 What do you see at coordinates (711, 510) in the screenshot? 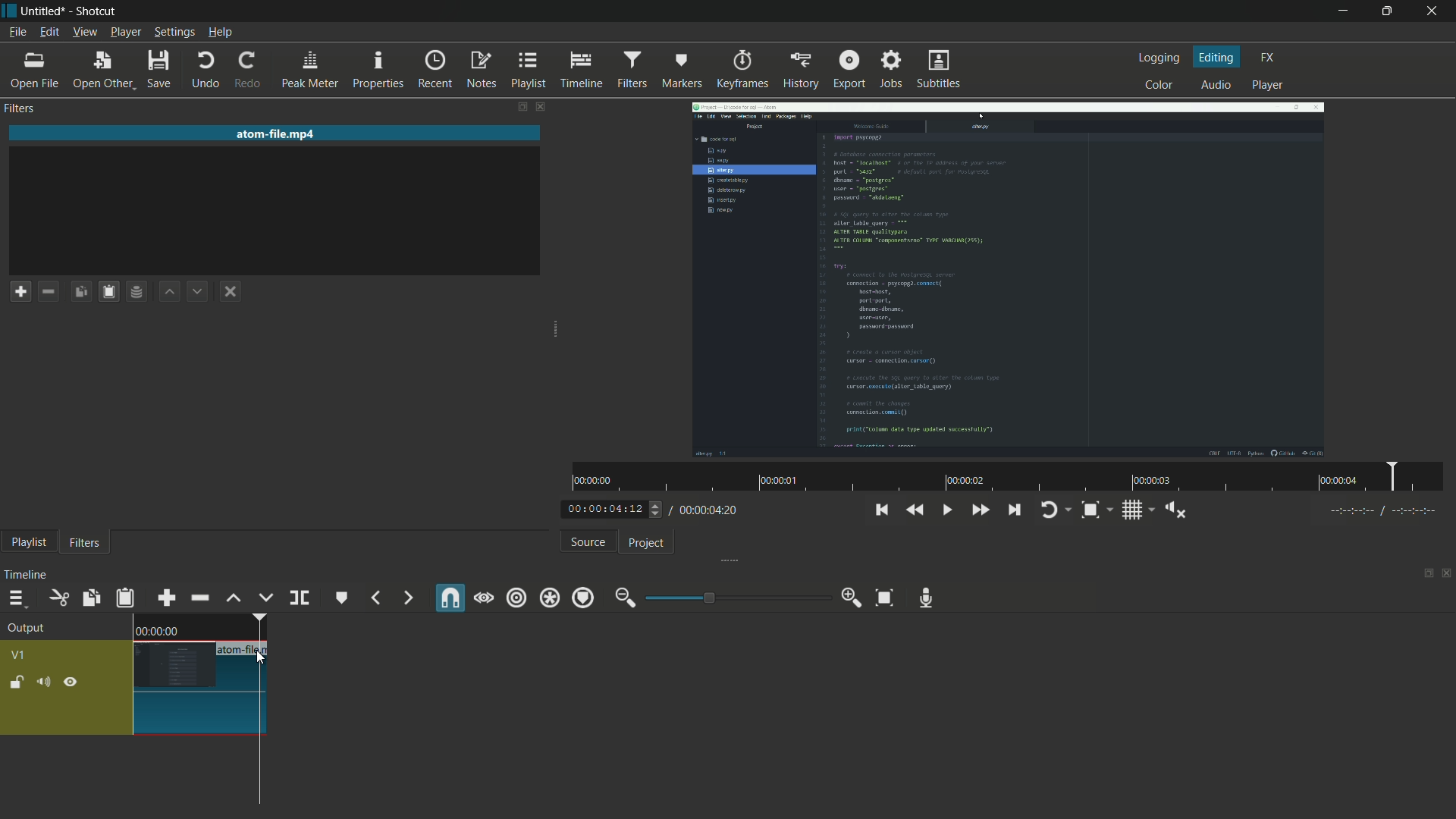
I see `total time` at bounding box center [711, 510].